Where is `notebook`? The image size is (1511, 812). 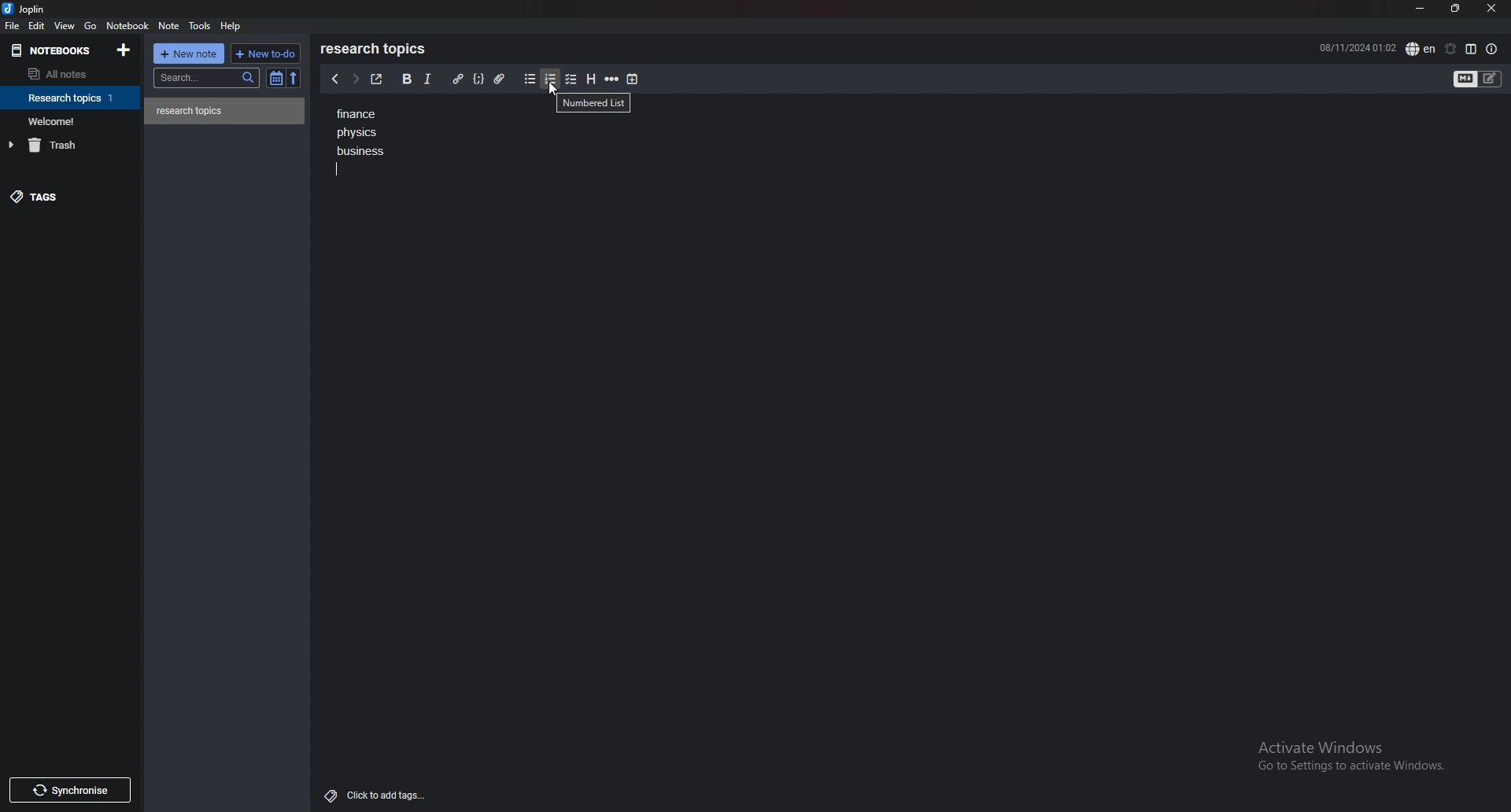 notebook is located at coordinates (72, 120).